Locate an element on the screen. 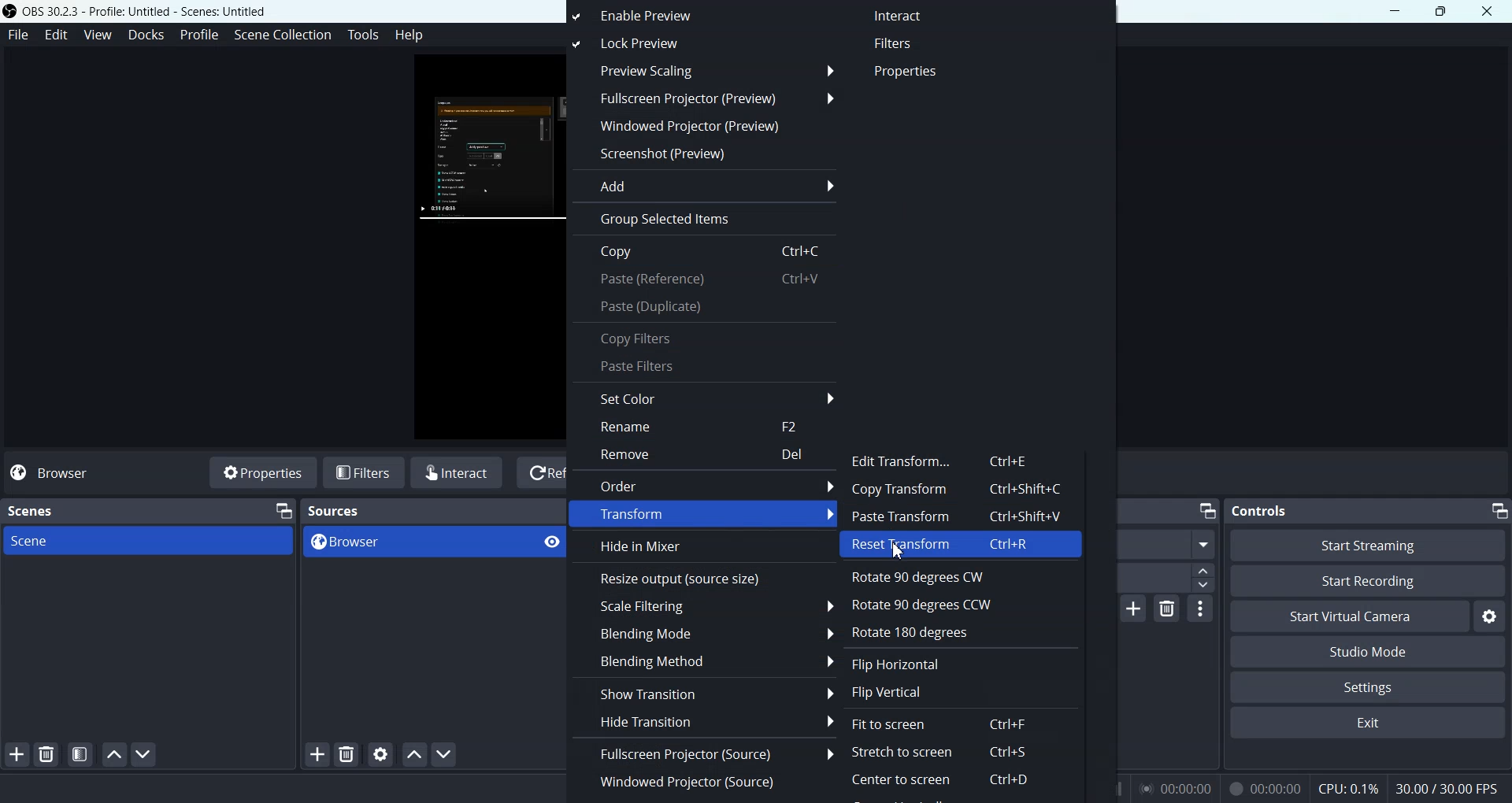 The height and width of the screenshot is (803, 1512). Browser is located at coordinates (61, 472).